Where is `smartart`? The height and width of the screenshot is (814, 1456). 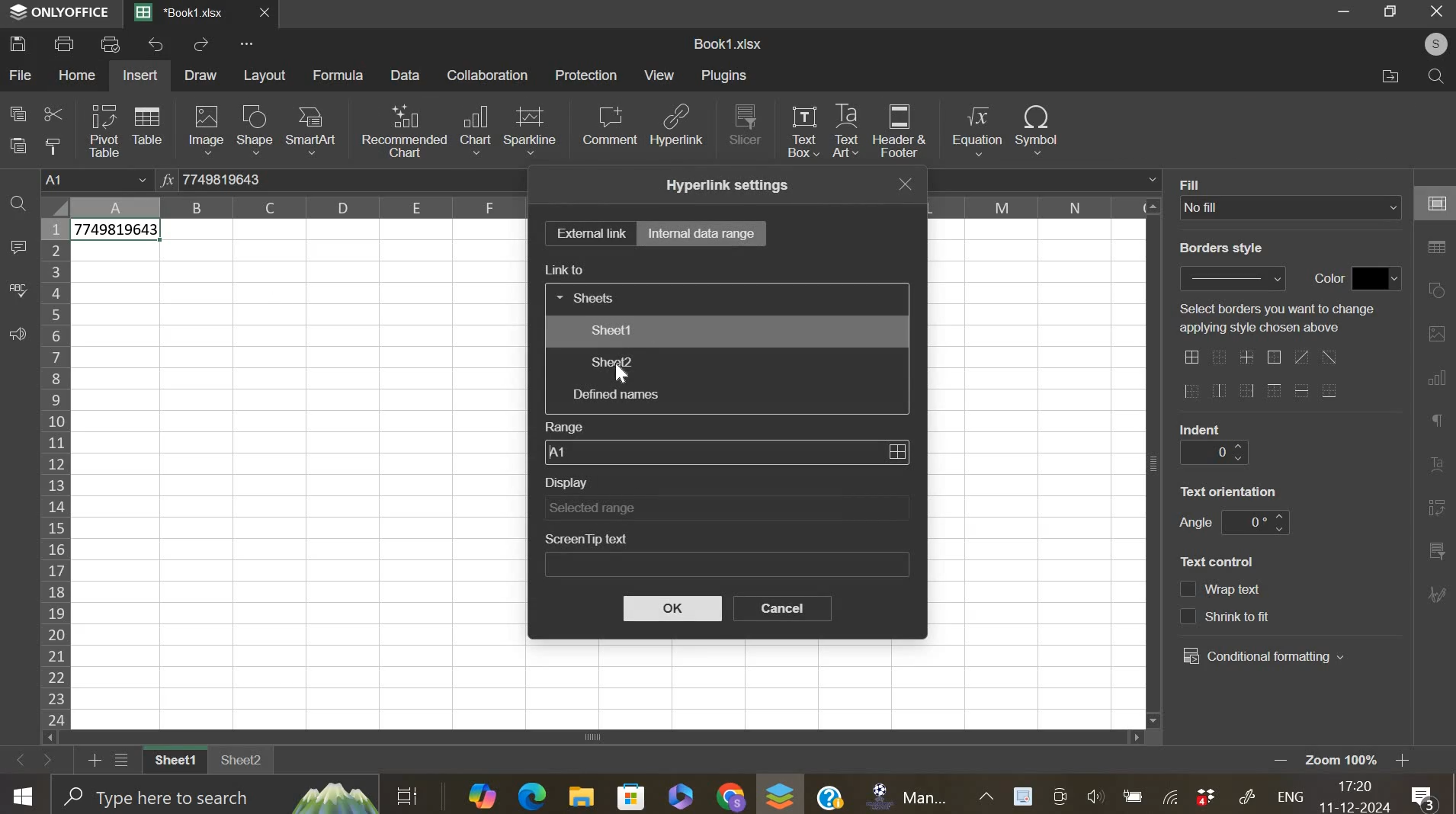
smartart is located at coordinates (309, 129).